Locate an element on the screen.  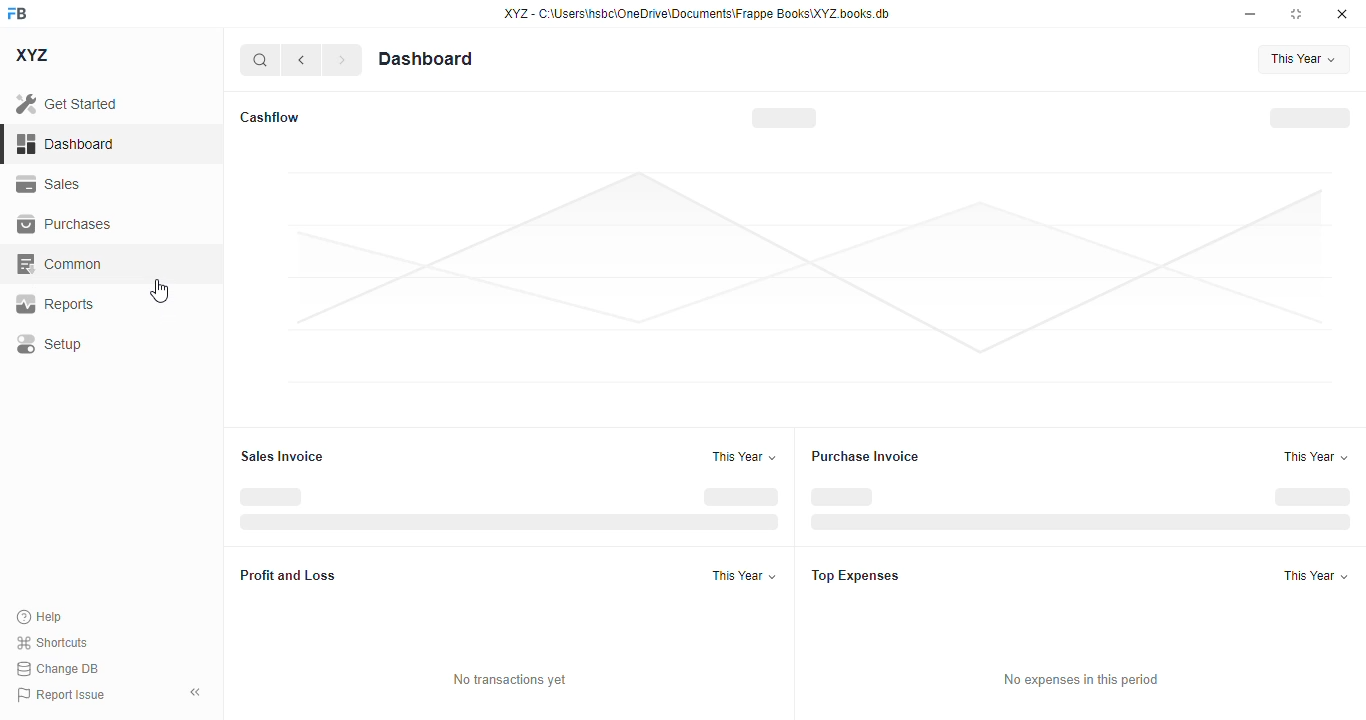
minimize is located at coordinates (1251, 13).